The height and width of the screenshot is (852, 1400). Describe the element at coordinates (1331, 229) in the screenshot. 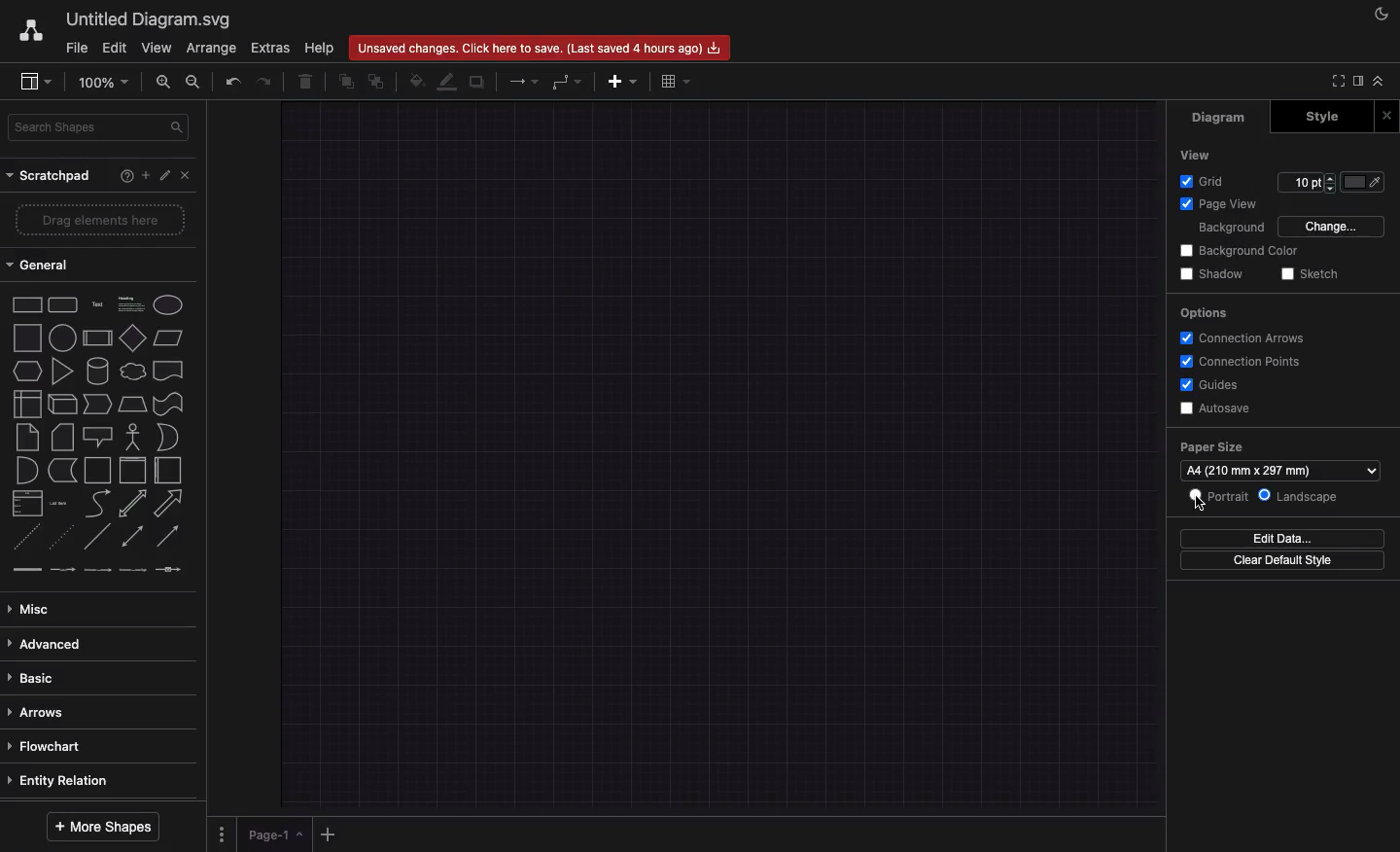

I see `Change` at that location.